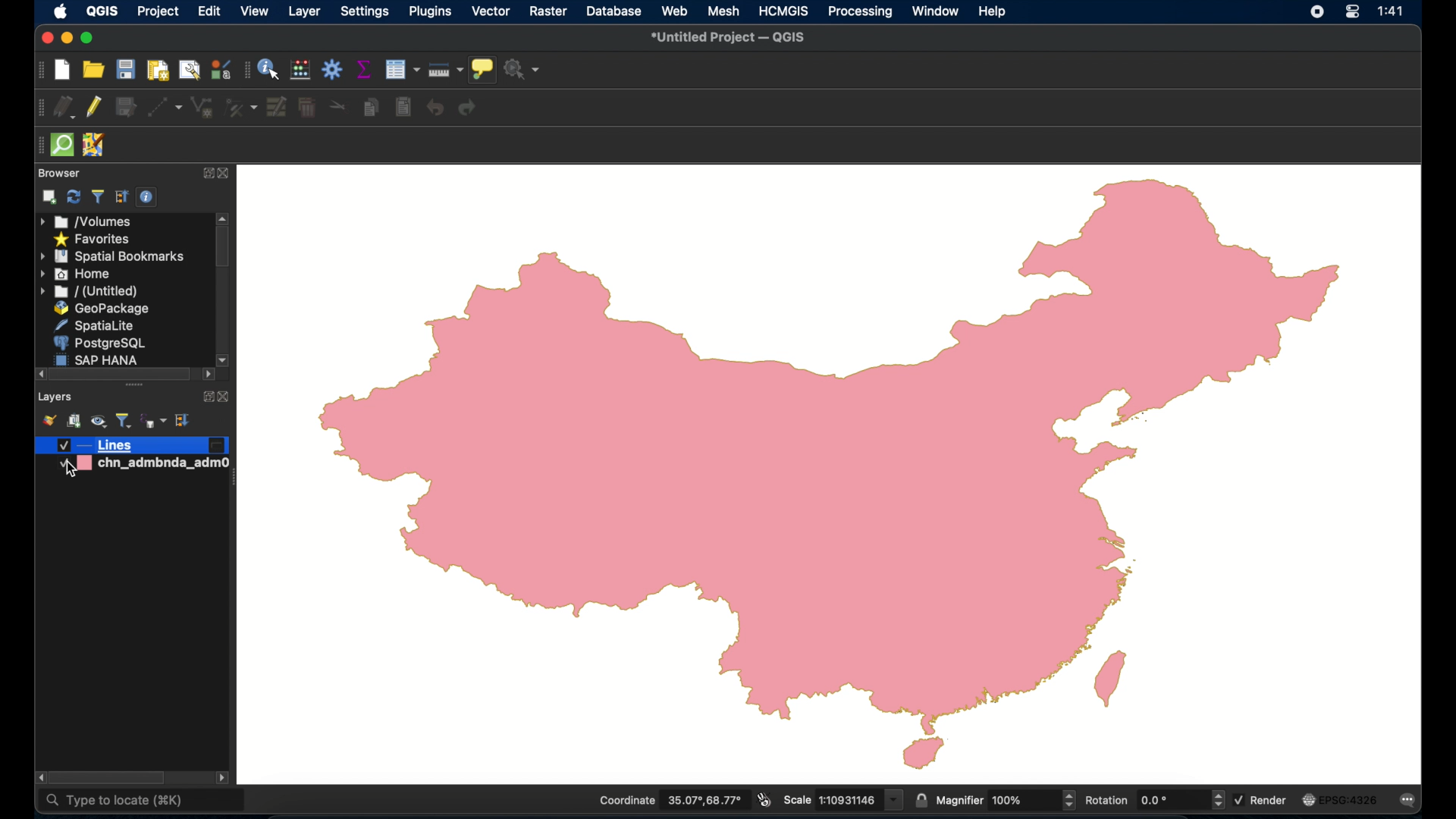  What do you see at coordinates (36, 374) in the screenshot?
I see `scroll left arrow` at bounding box center [36, 374].